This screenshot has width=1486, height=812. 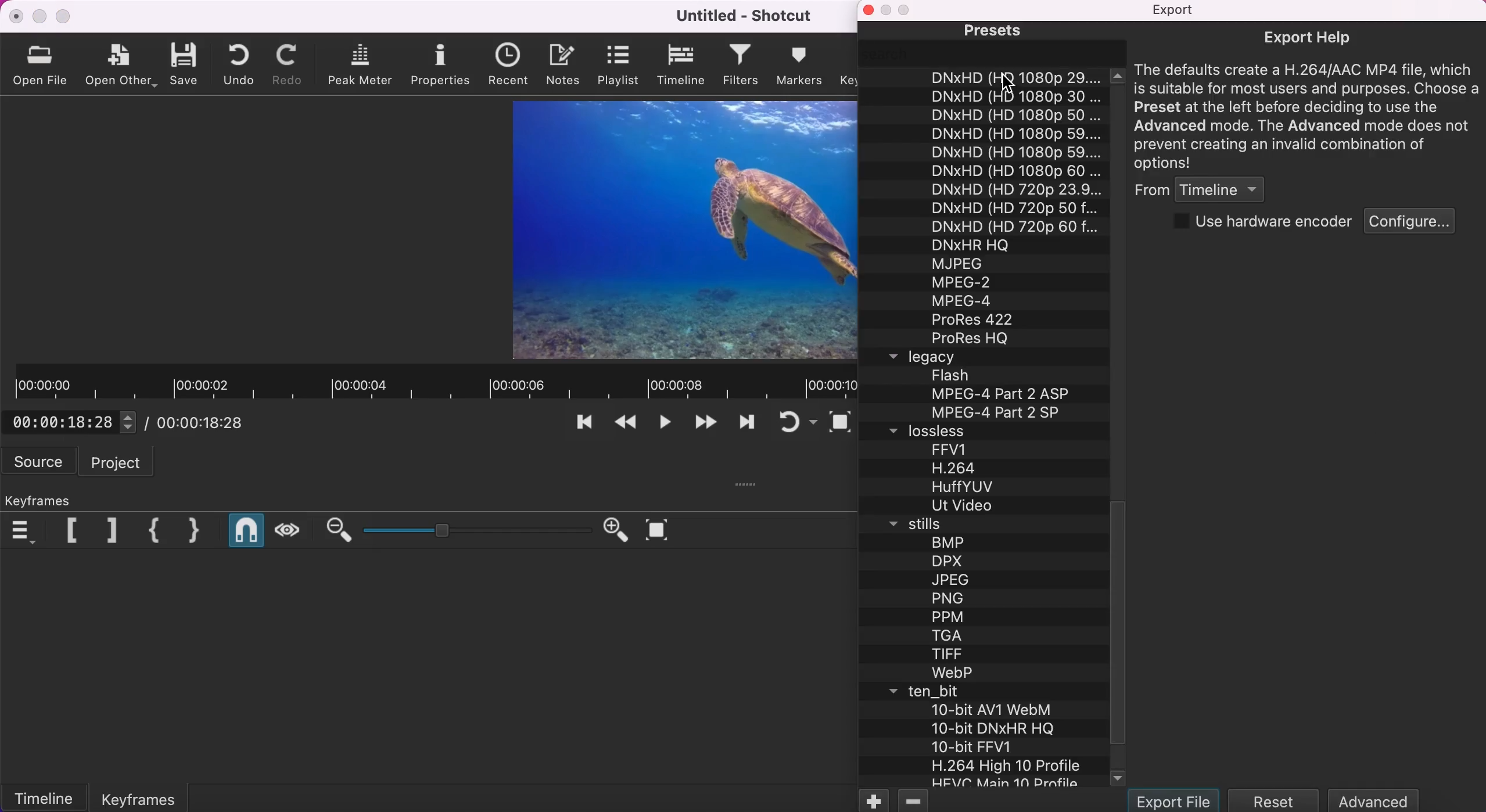 I want to click on configure, so click(x=1412, y=222).